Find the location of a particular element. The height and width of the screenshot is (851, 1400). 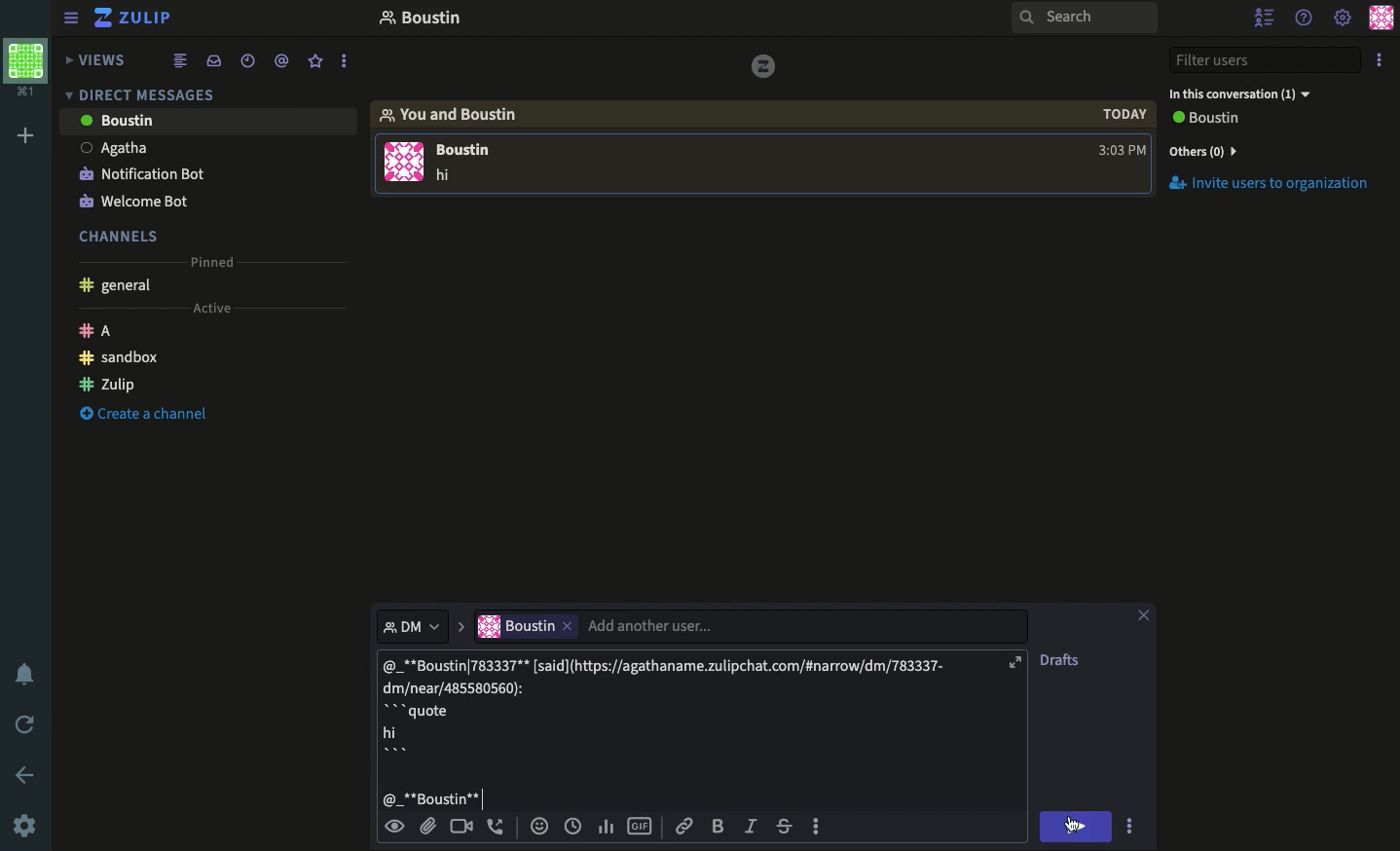

Options is located at coordinates (816, 824).